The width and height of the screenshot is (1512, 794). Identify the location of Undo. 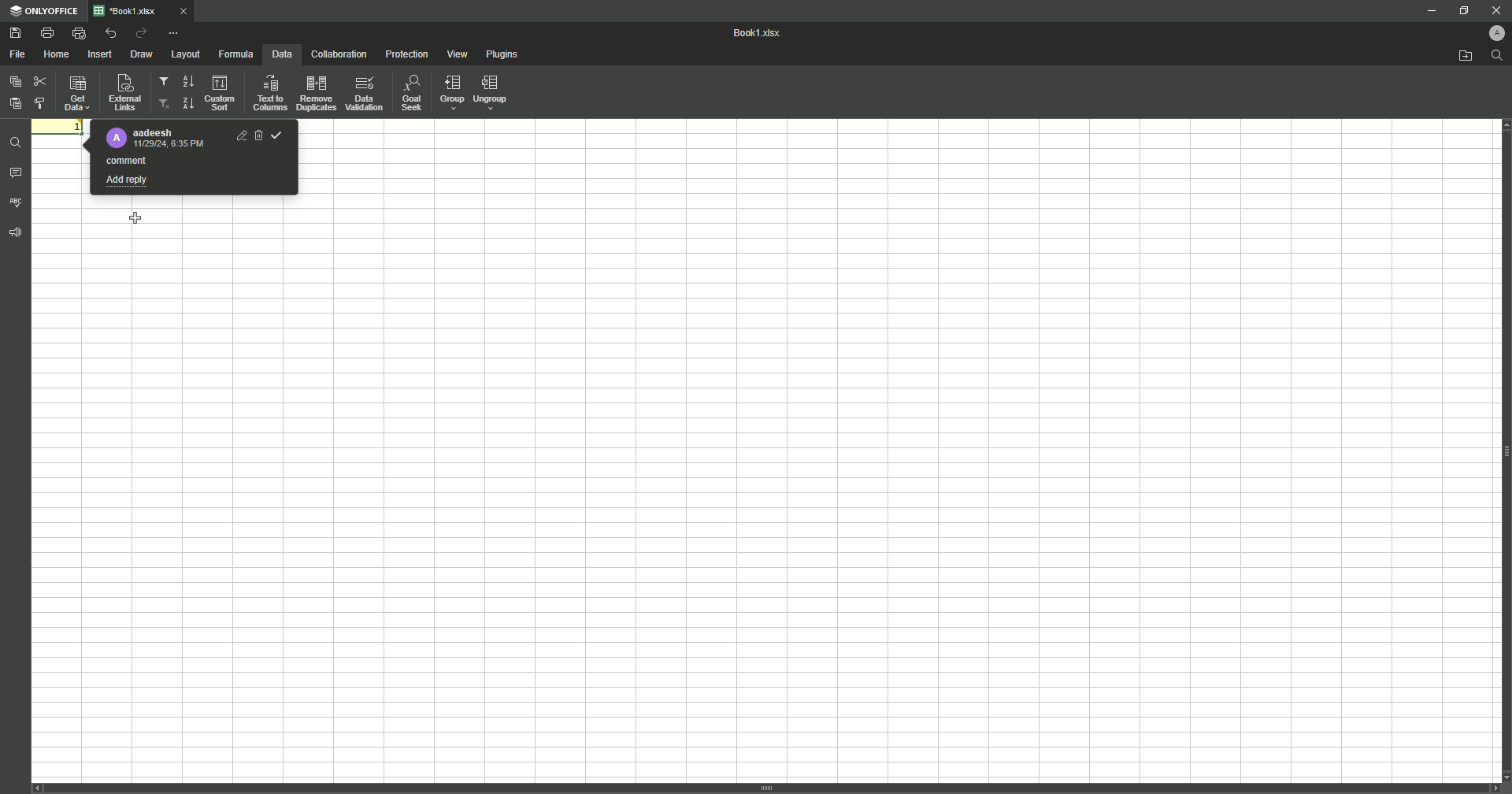
(109, 33).